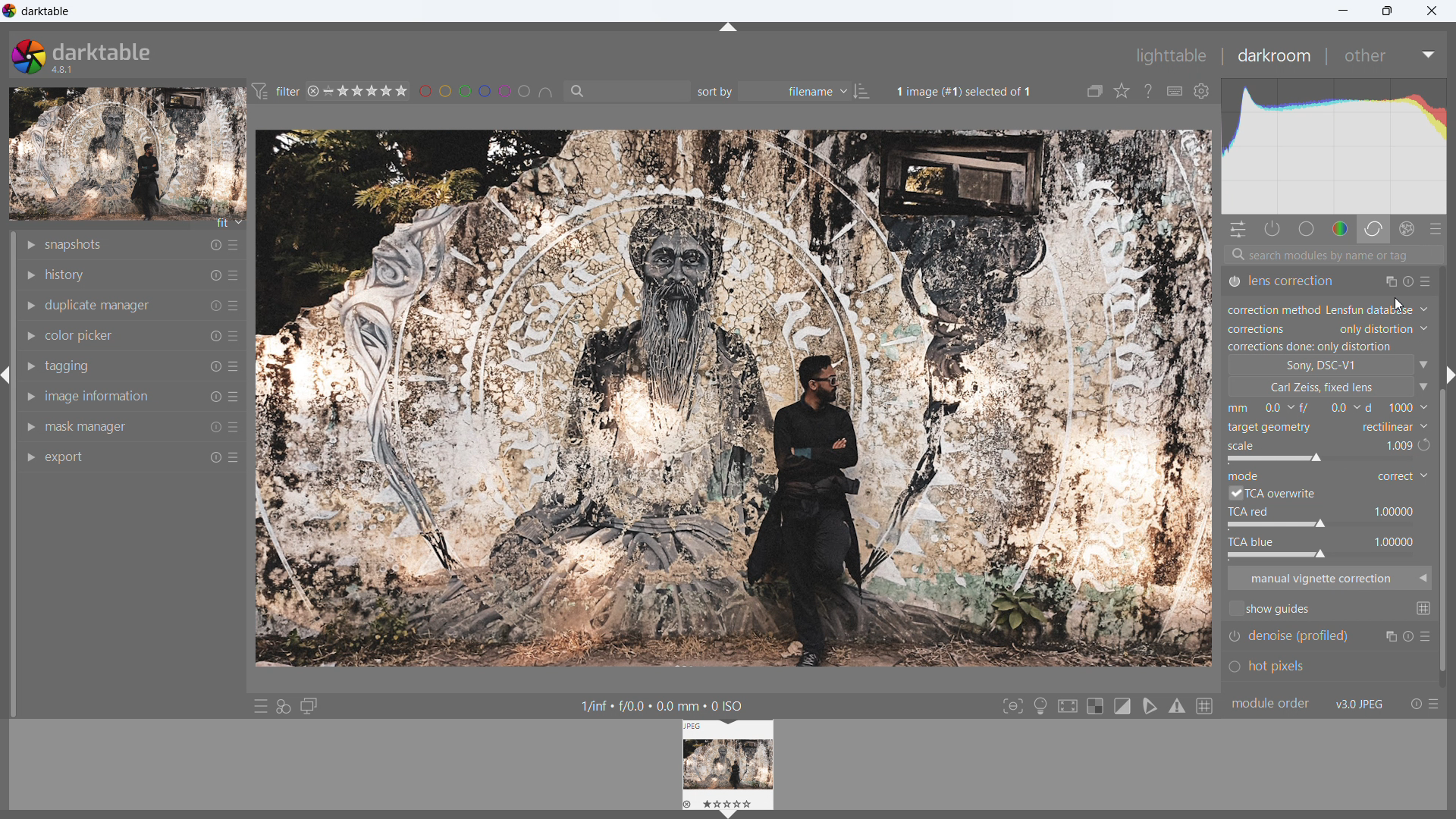 The image size is (1456, 819). I want to click on show module, so click(33, 458).